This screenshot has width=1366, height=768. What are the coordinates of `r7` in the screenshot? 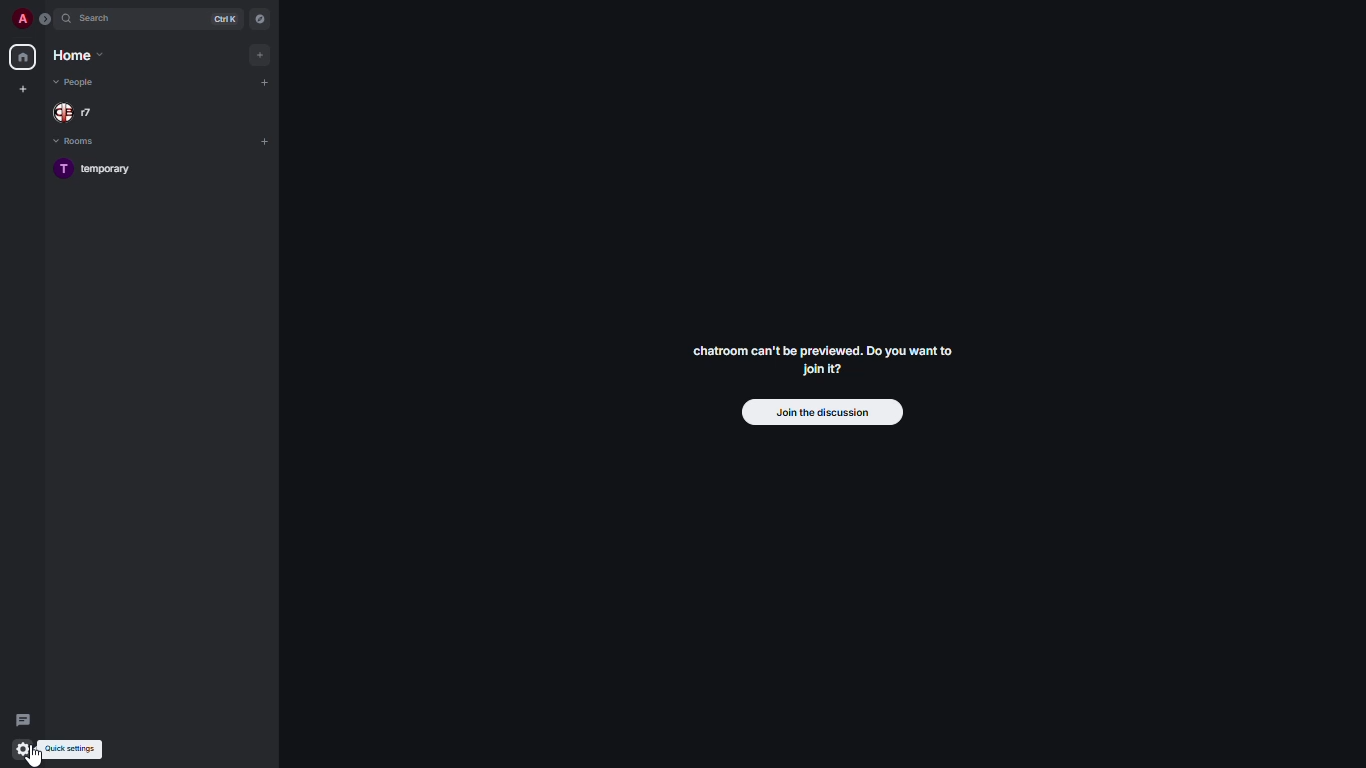 It's located at (81, 111).